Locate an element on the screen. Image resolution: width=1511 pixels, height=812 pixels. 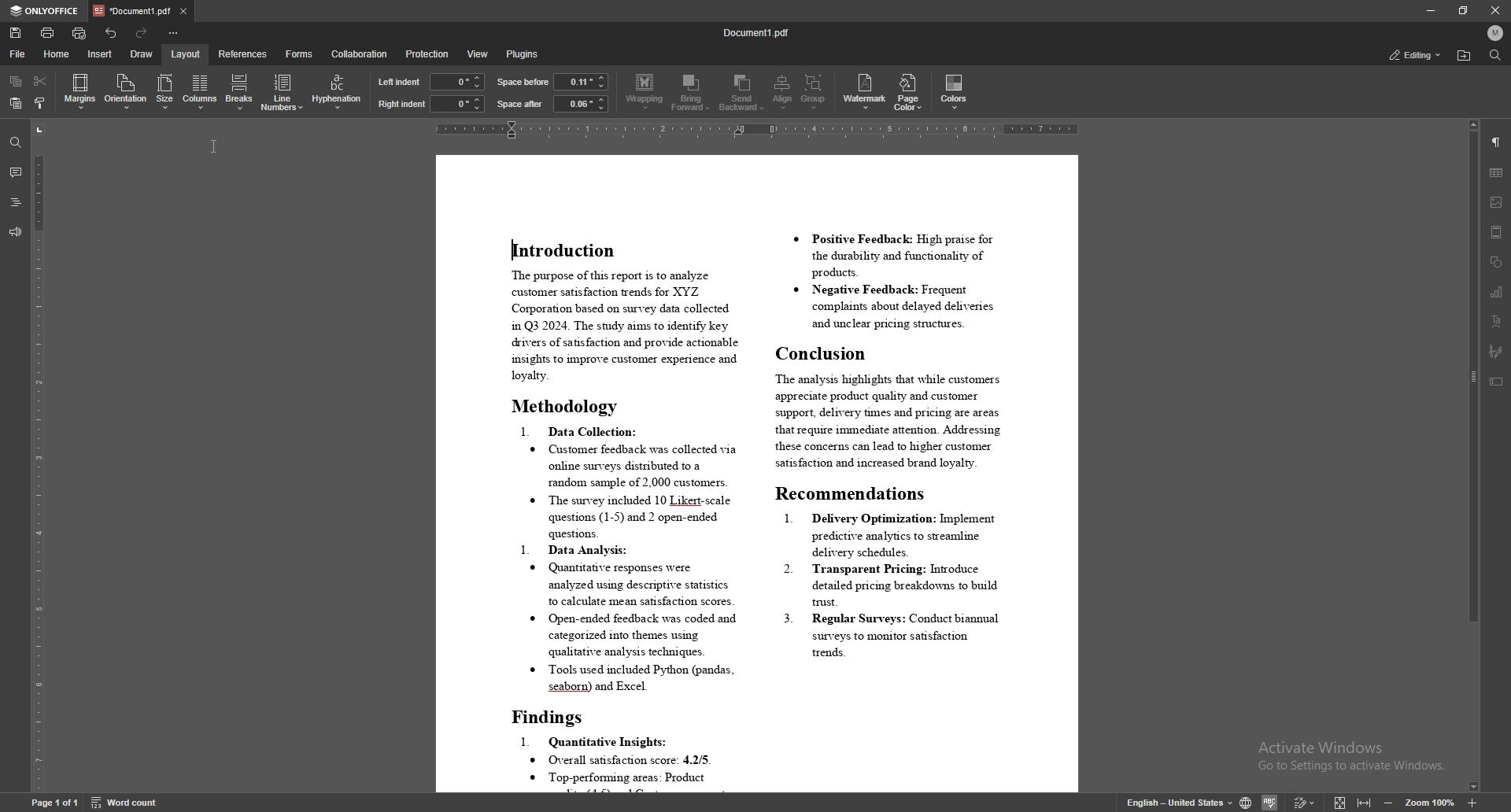
spell check is located at coordinates (1272, 802).